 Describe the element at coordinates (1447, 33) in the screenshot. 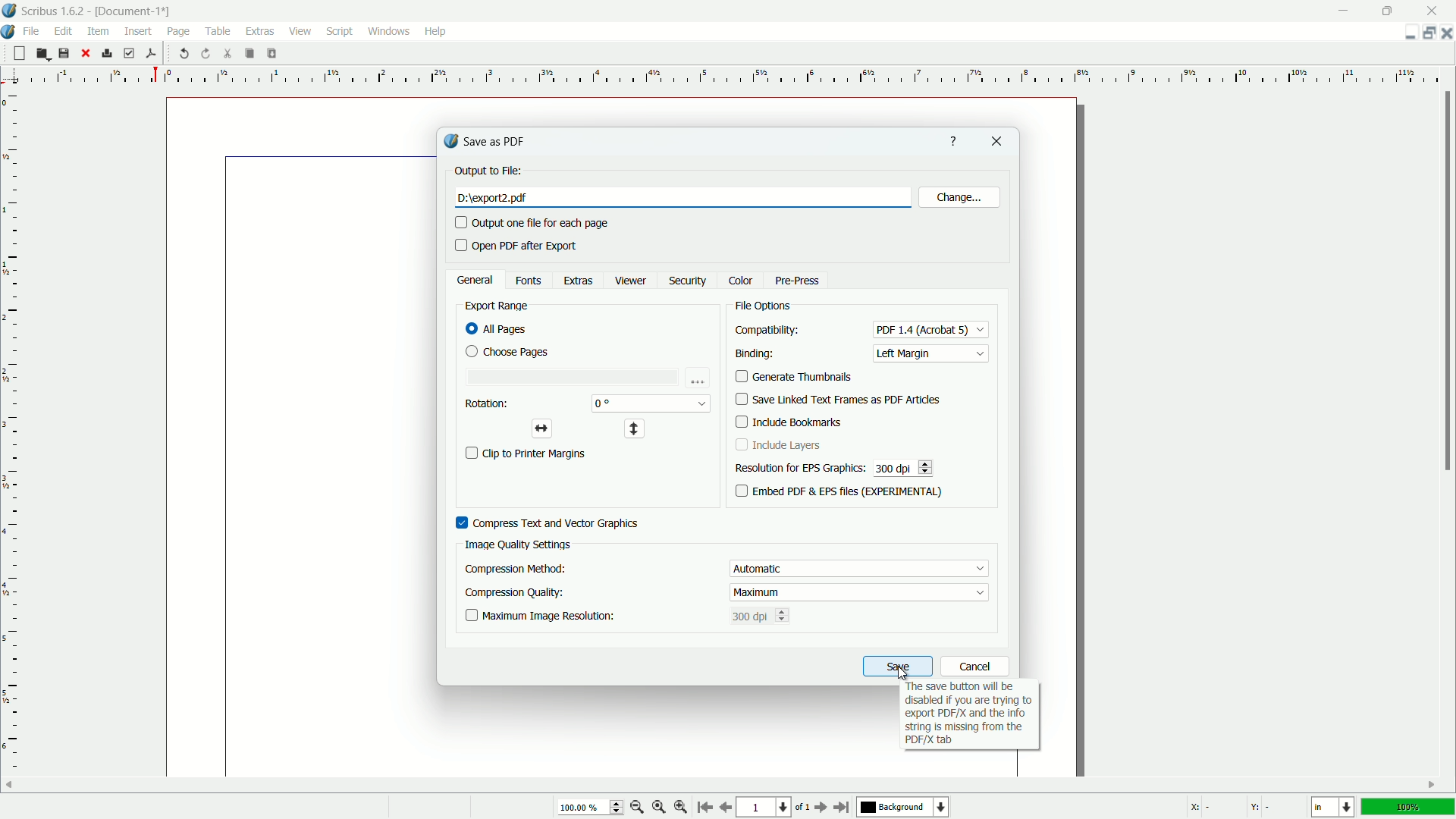

I see `close document` at that location.